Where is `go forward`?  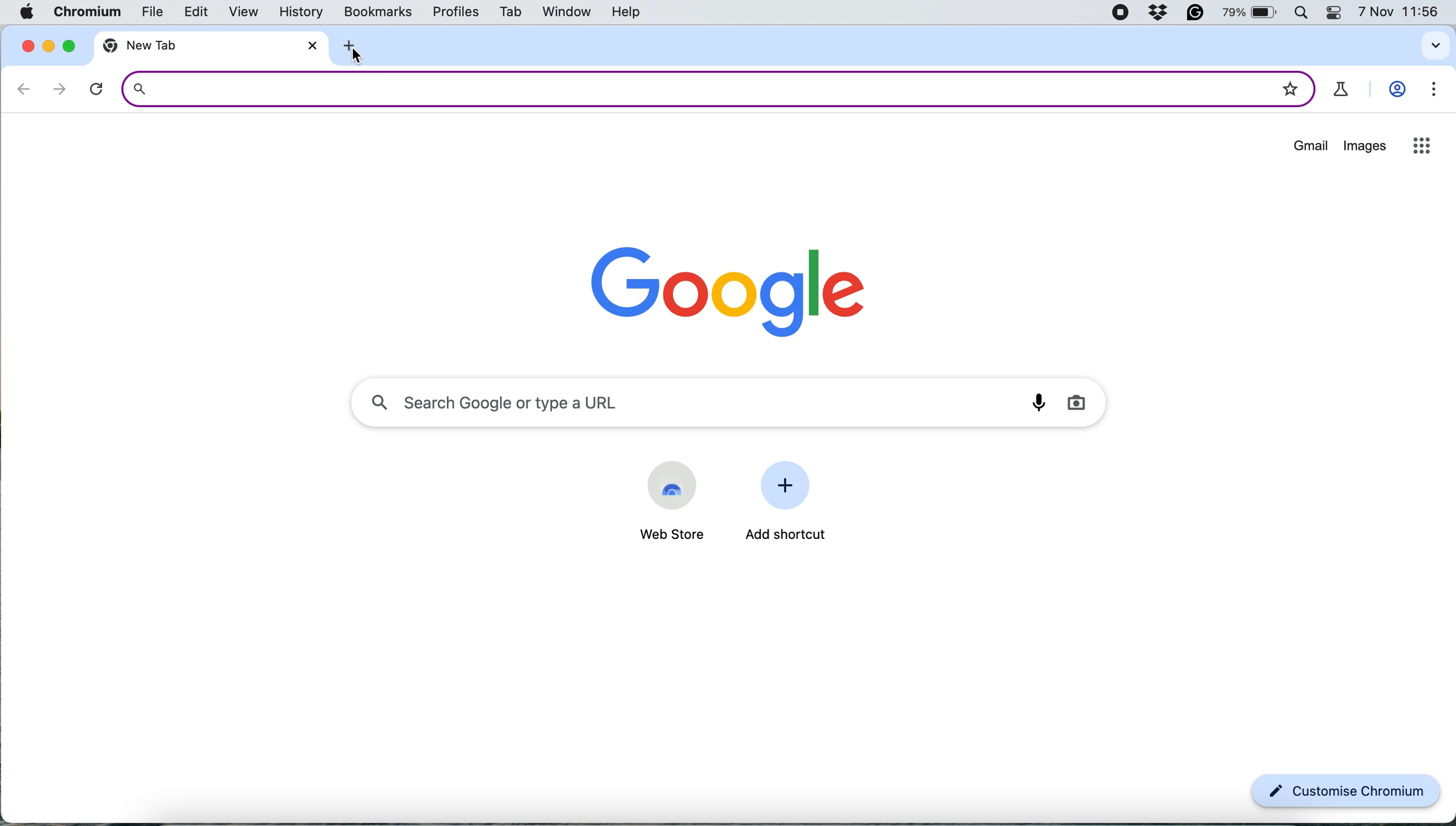 go forward is located at coordinates (60, 88).